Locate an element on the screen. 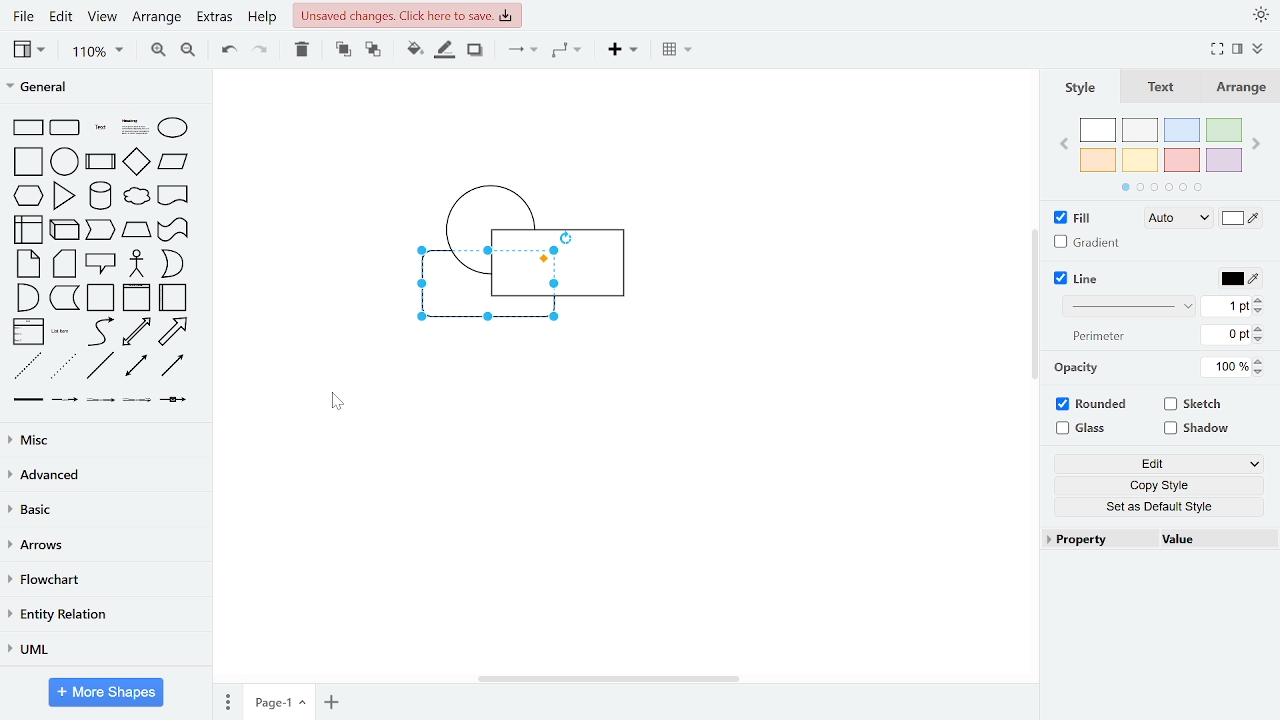  increase line width is located at coordinates (1259, 300).